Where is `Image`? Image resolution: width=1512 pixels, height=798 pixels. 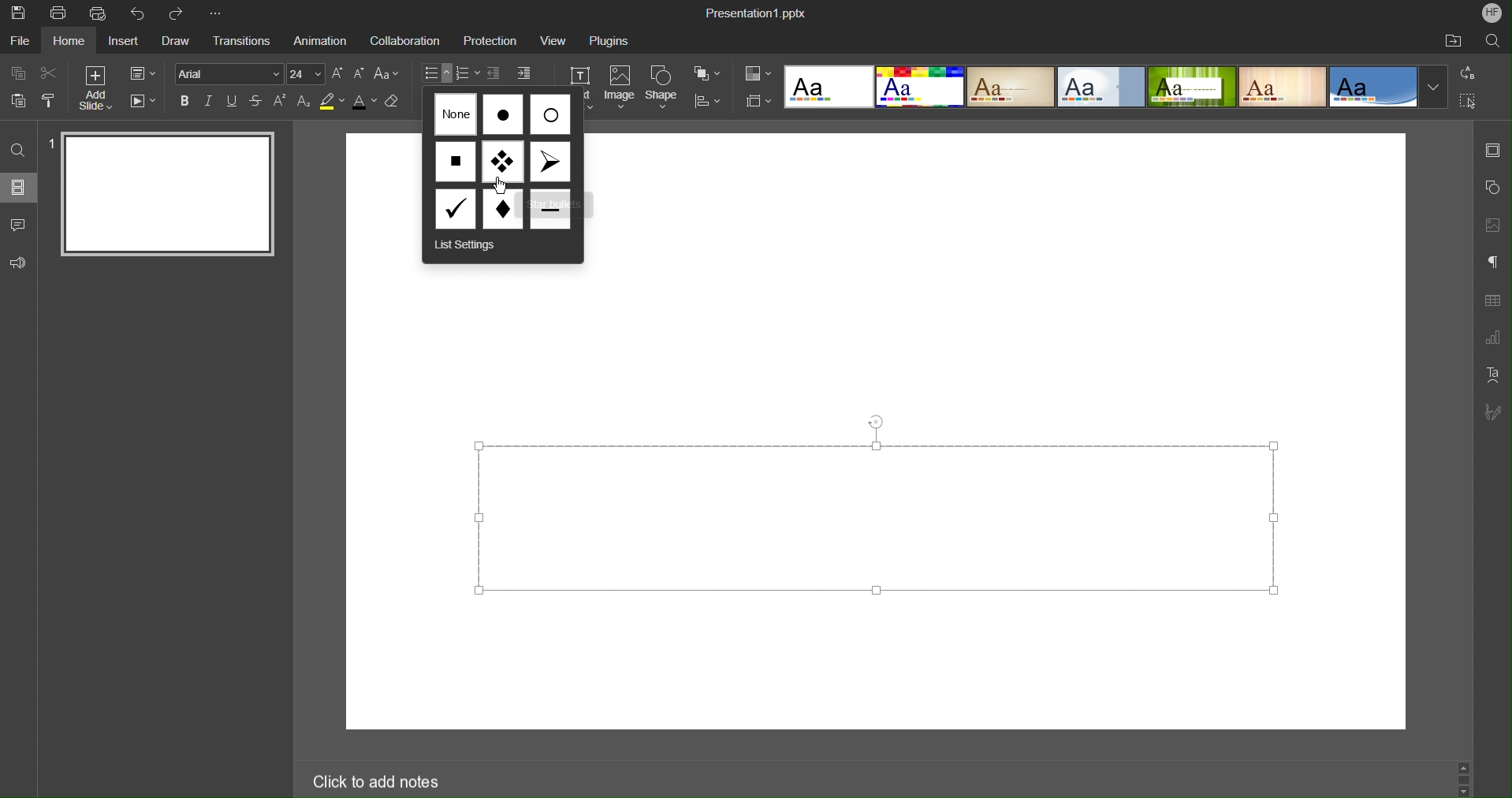
Image is located at coordinates (619, 88).